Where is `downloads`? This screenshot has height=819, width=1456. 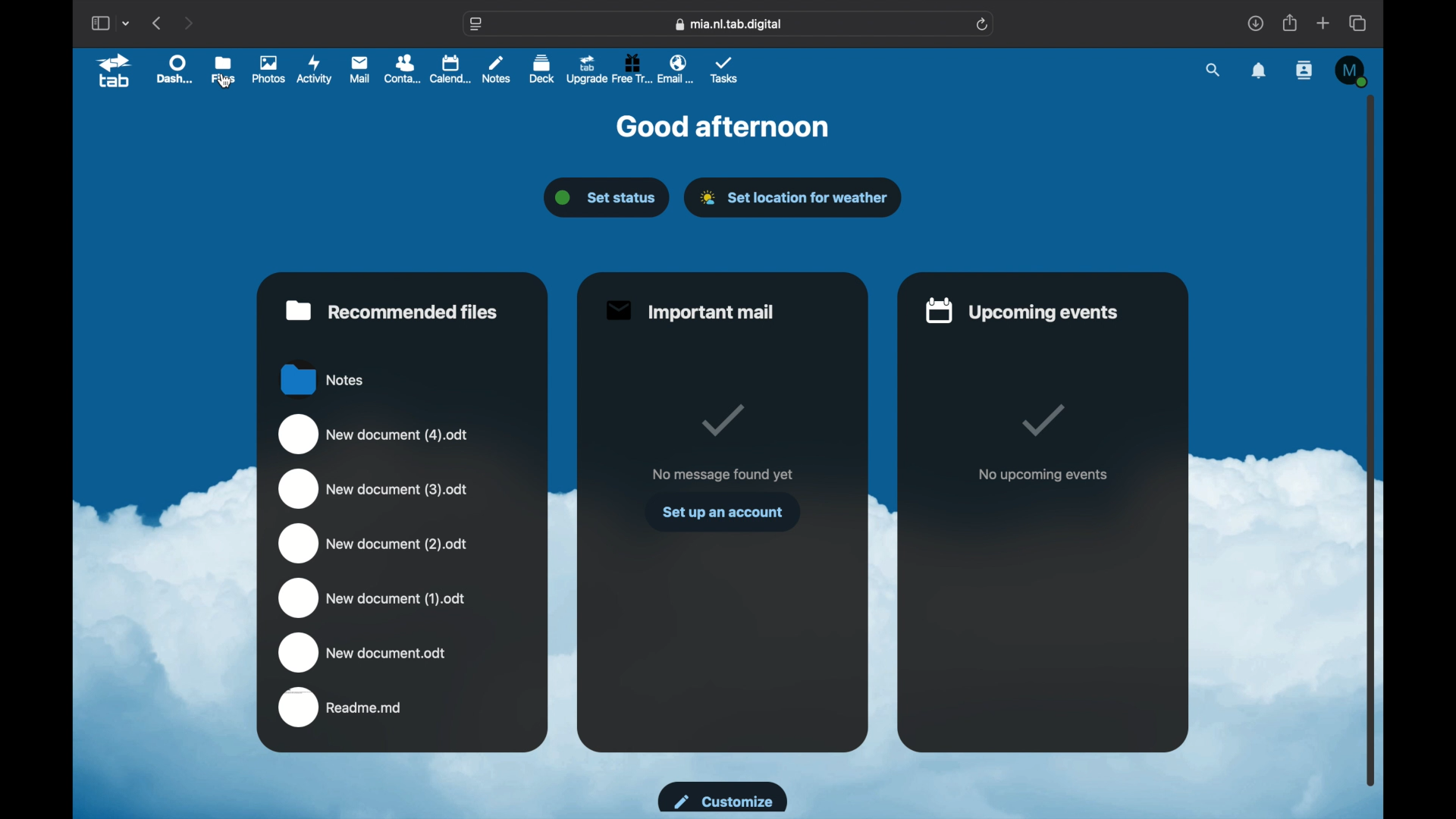 downloads is located at coordinates (1256, 23).